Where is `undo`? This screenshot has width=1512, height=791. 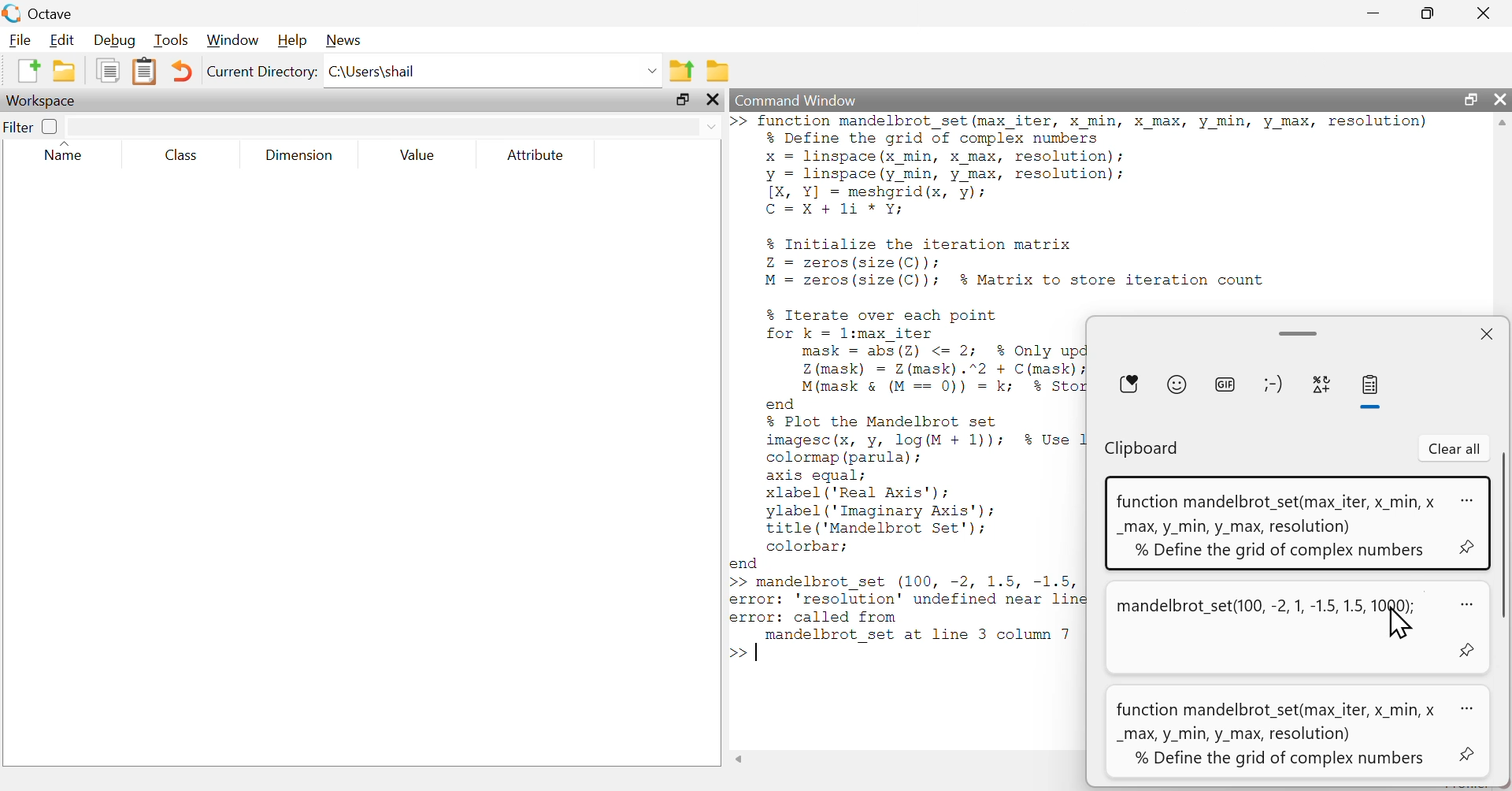
undo is located at coordinates (182, 70).